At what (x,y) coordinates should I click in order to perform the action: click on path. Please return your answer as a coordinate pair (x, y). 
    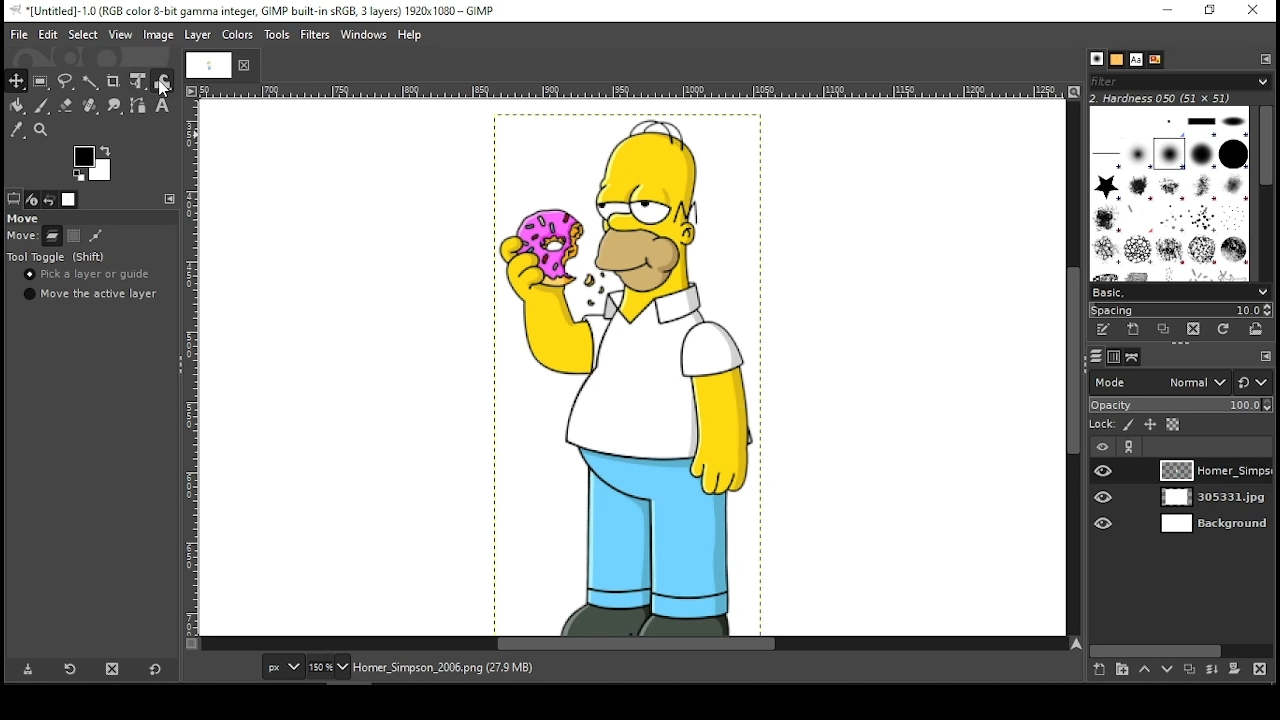
    Looking at the image, I should click on (95, 236).